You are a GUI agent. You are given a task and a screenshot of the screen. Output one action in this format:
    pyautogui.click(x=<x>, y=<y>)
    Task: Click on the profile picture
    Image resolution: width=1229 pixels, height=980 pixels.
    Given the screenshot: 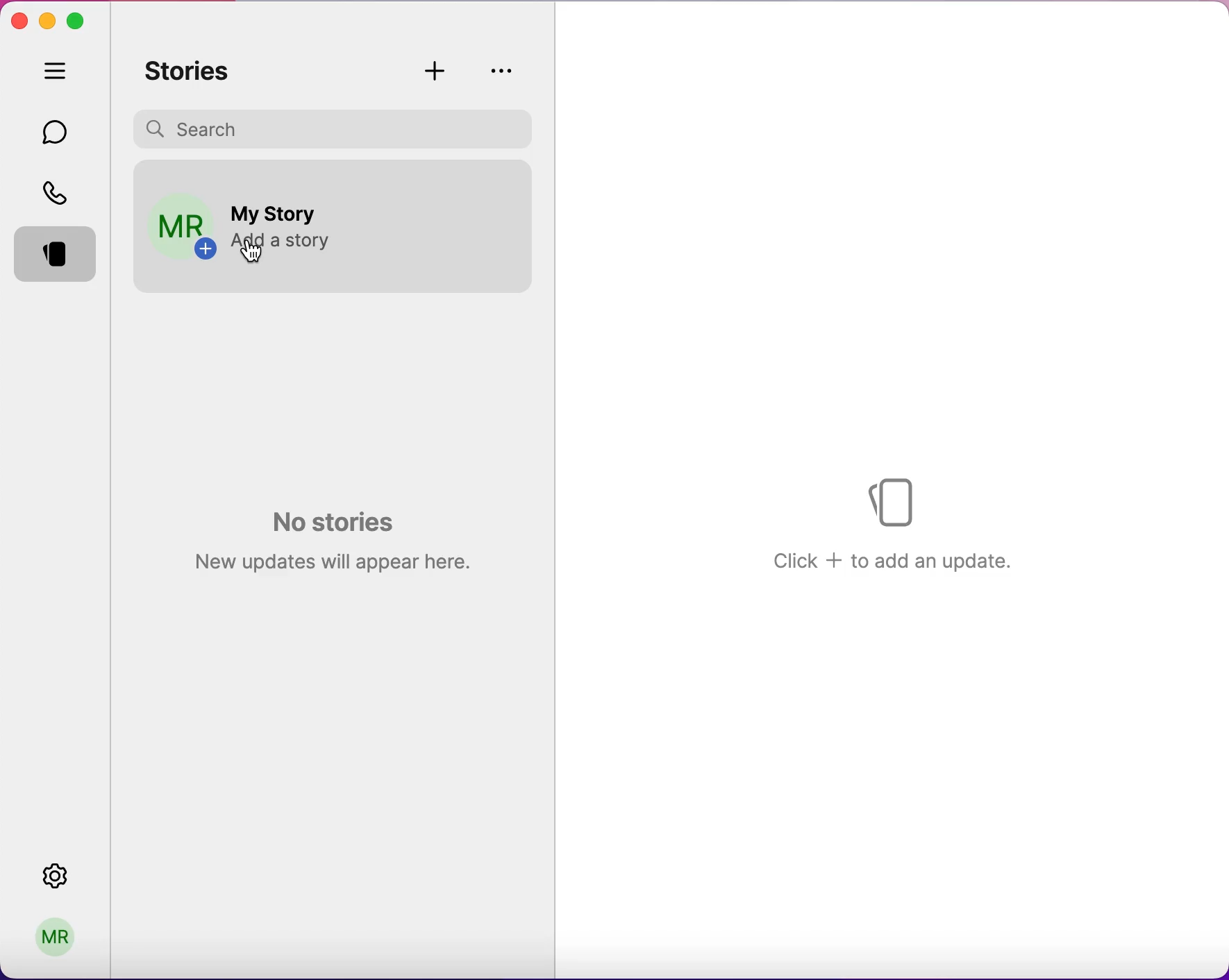 What is the action you would take?
    pyautogui.click(x=179, y=225)
    